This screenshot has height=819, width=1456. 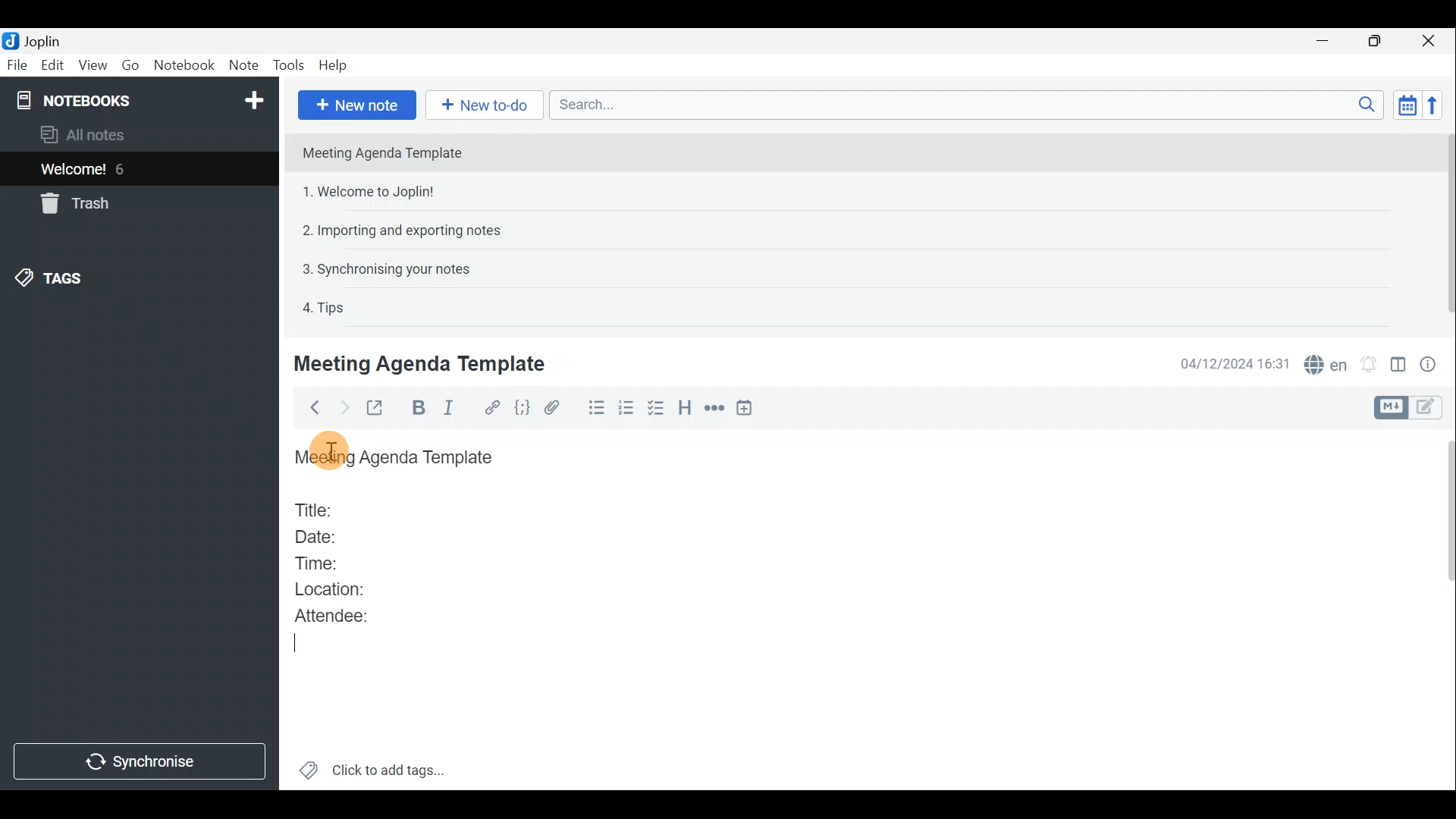 What do you see at coordinates (90, 67) in the screenshot?
I see `View` at bounding box center [90, 67].